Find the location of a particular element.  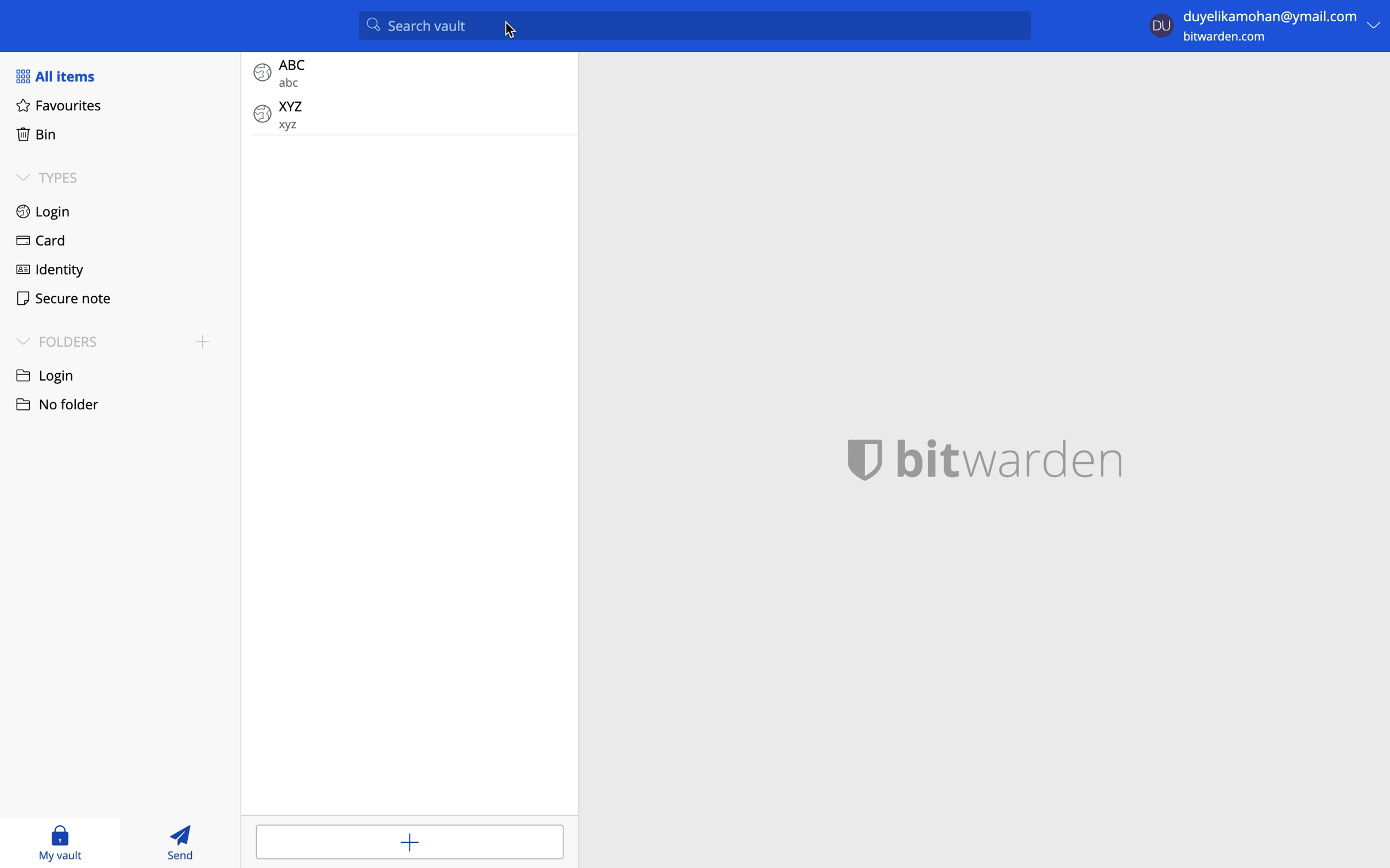

login is located at coordinates (45, 211).